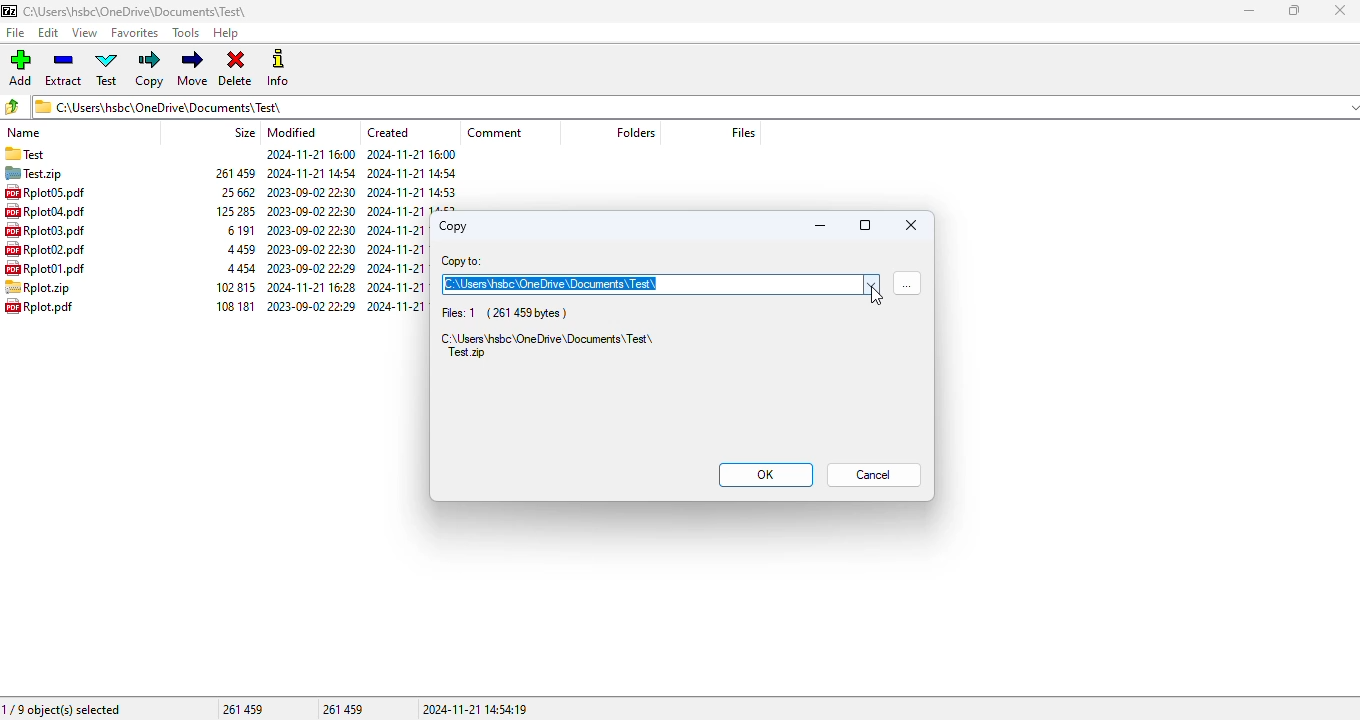 This screenshot has width=1360, height=720. Describe the element at coordinates (48, 32) in the screenshot. I see `edit` at that location.